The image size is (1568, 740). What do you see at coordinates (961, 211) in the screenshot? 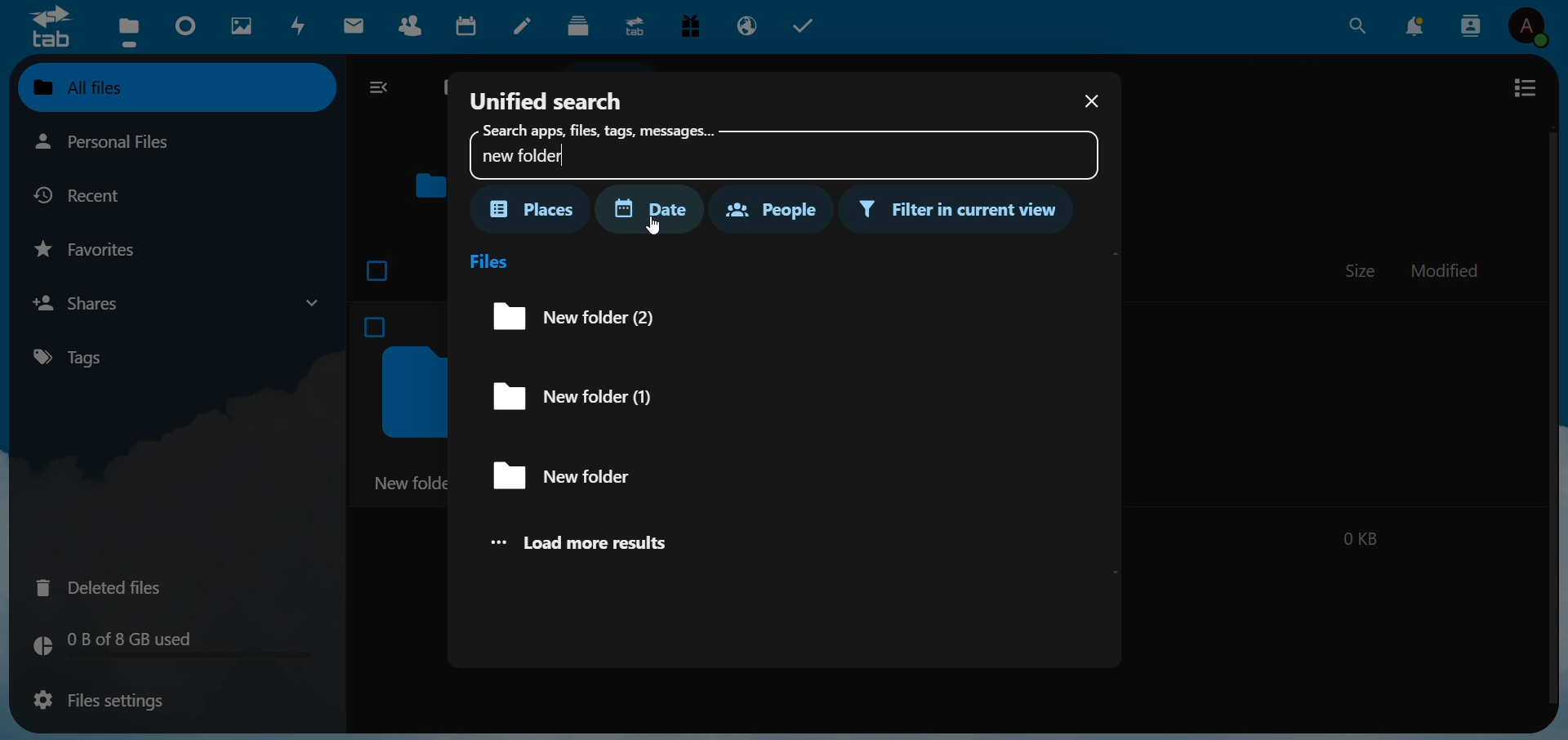
I see `filter in current view` at bounding box center [961, 211].